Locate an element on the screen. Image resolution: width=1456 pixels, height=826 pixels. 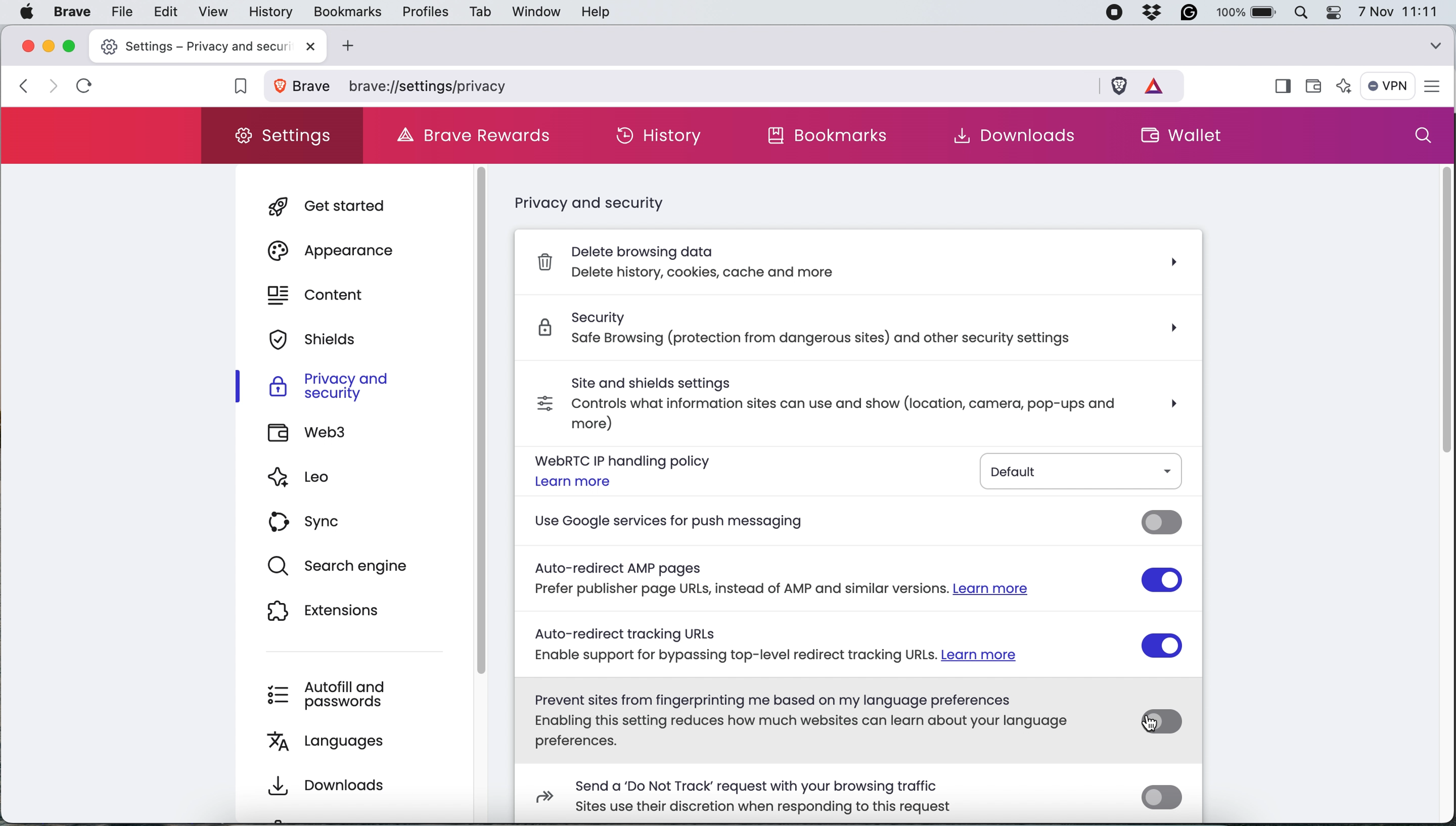
edit is located at coordinates (164, 11).